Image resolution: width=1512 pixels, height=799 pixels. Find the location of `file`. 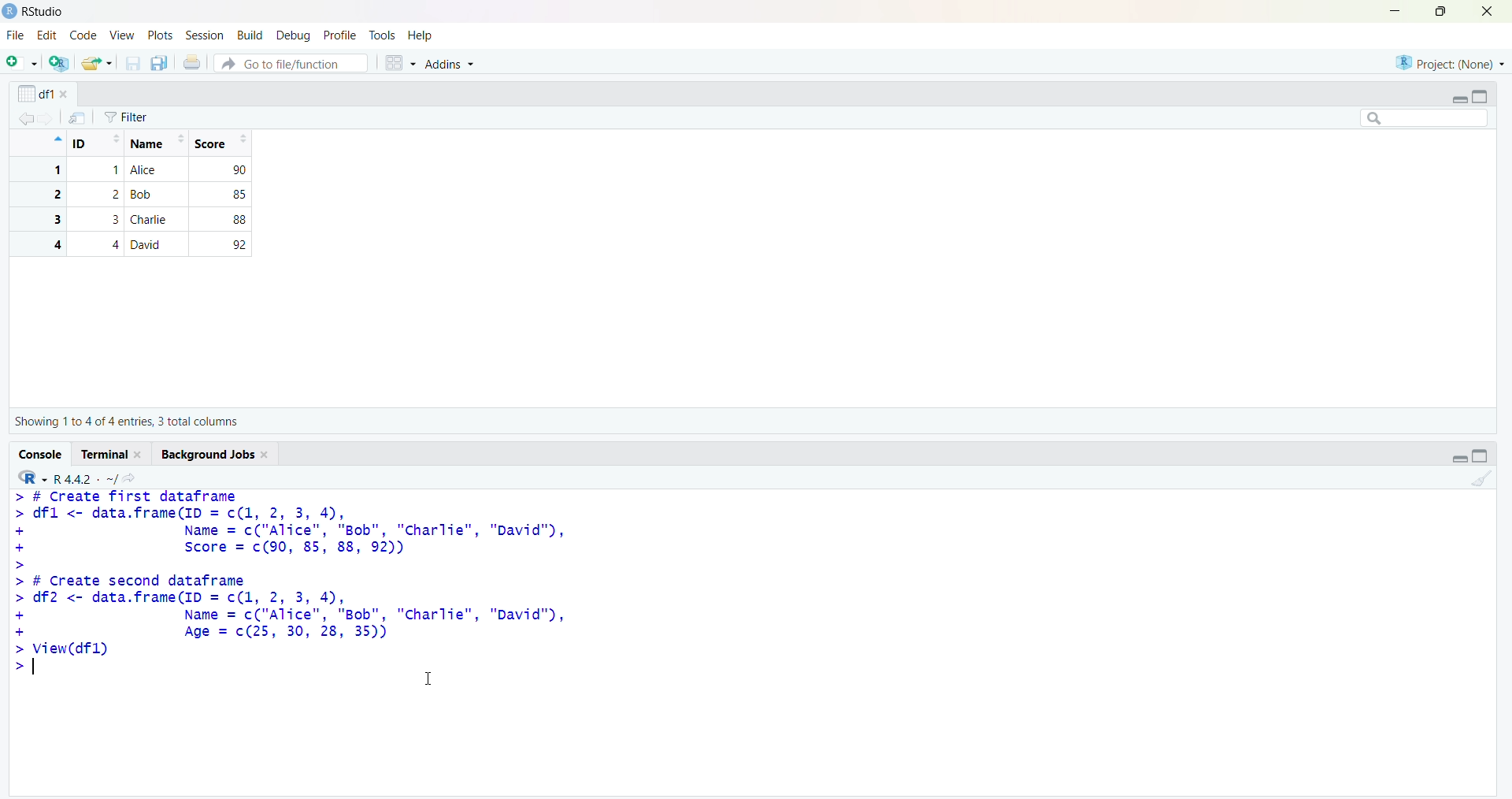

file is located at coordinates (17, 35).